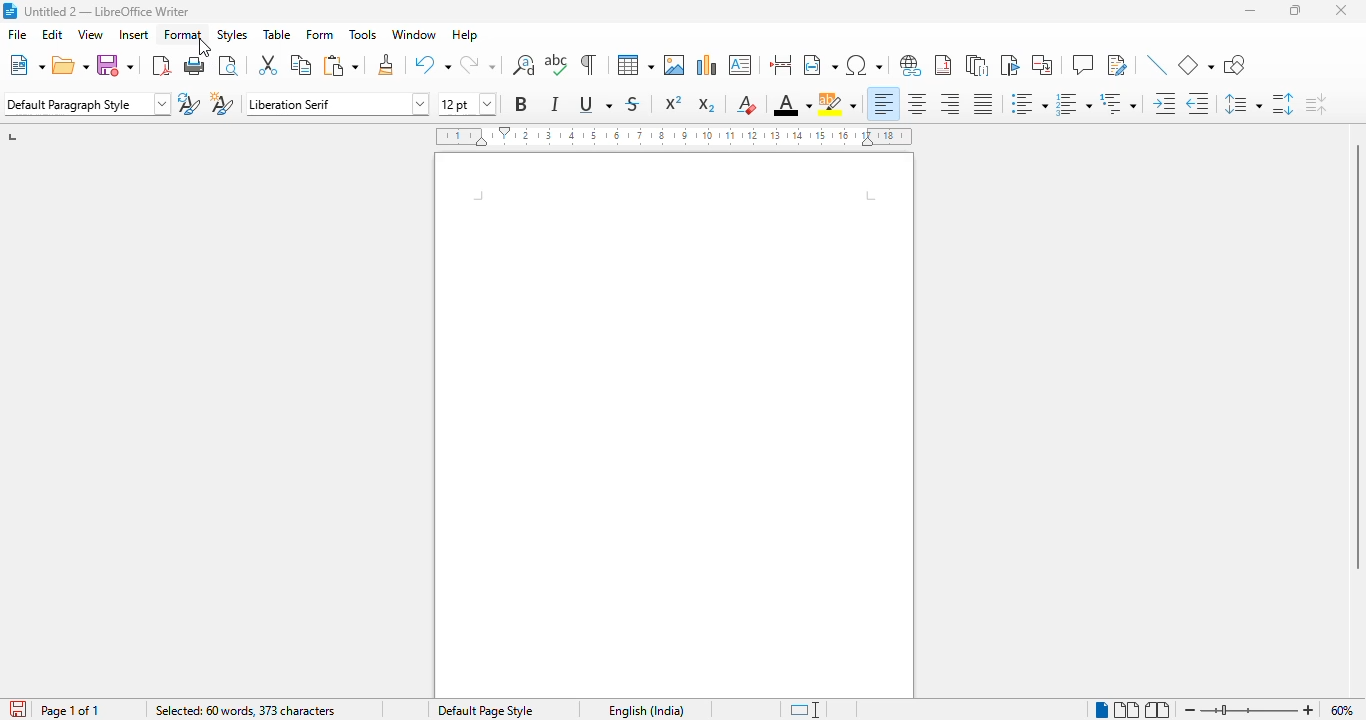  I want to click on zoom factor, so click(1342, 710).